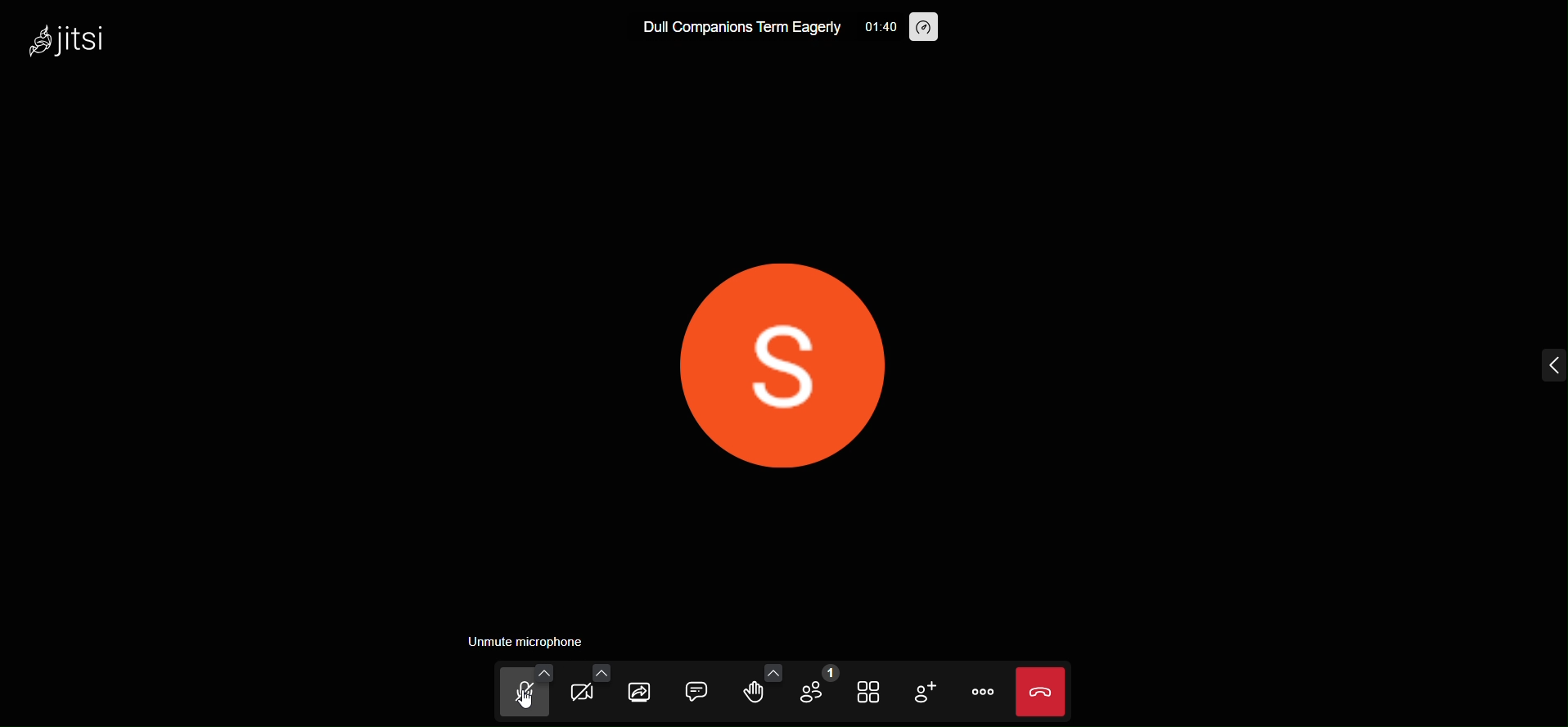  What do you see at coordinates (543, 670) in the screenshot?
I see `audio setting` at bounding box center [543, 670].